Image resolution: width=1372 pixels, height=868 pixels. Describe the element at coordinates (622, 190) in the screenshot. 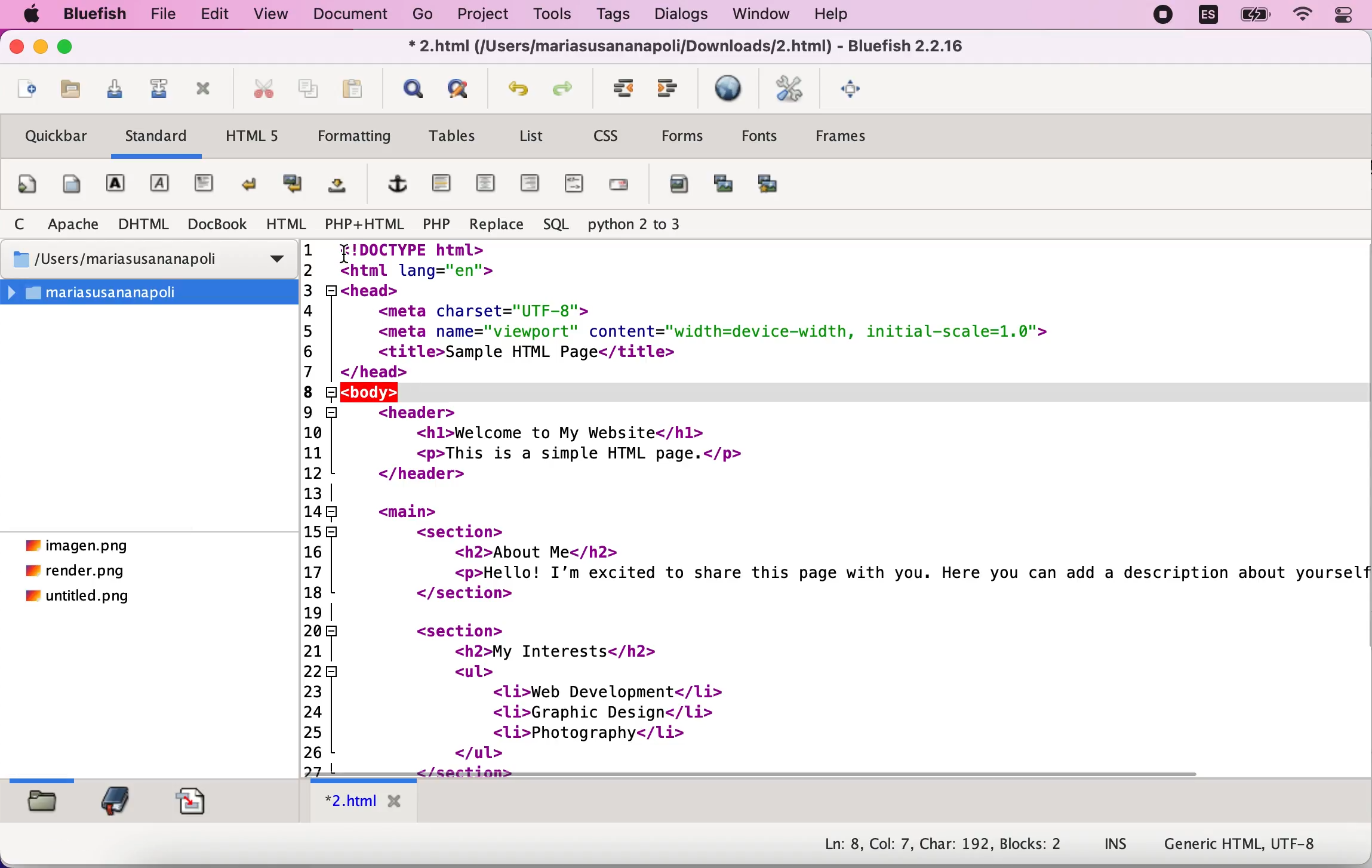

I see `email` at that location.